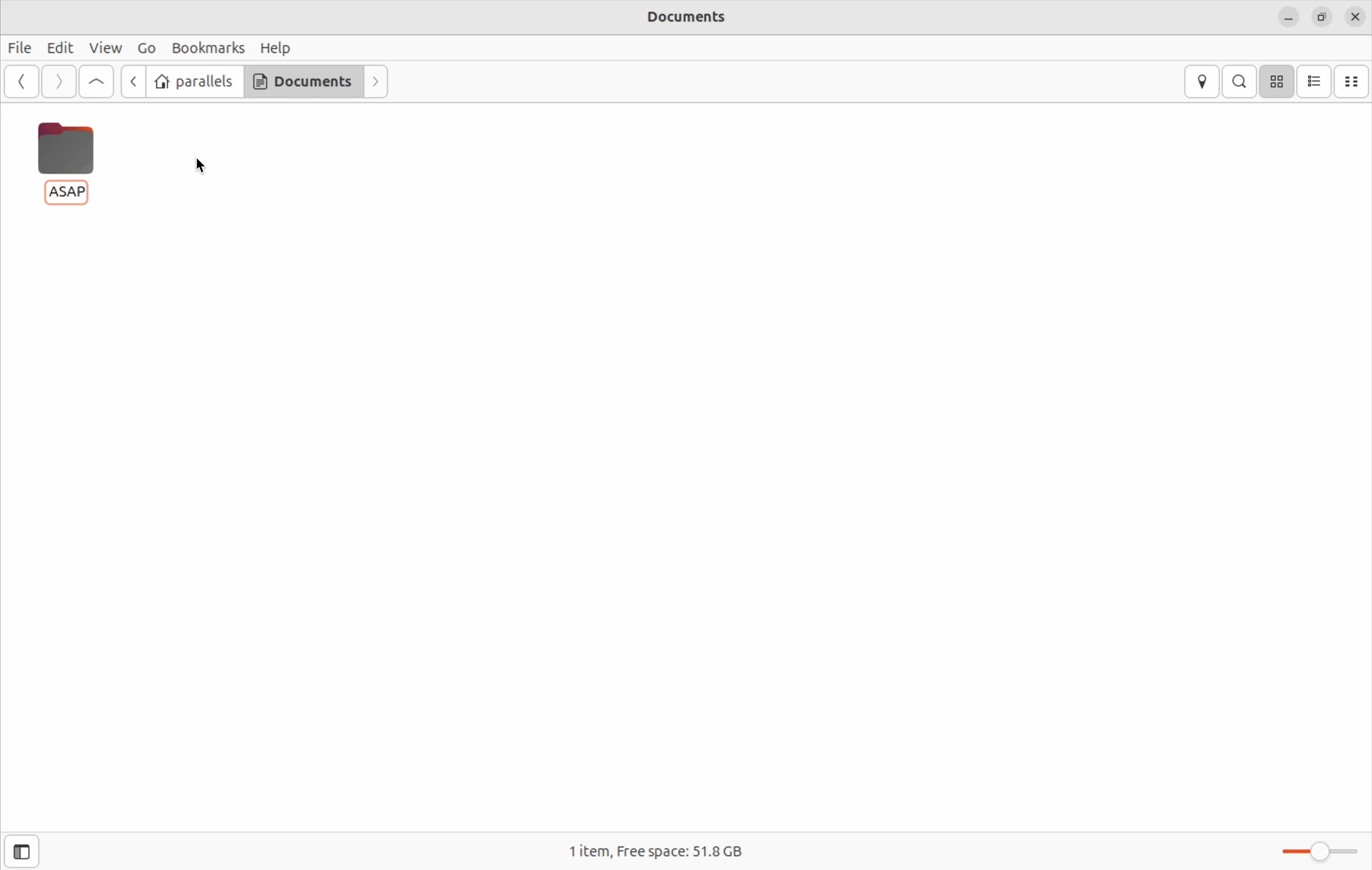  What do you see at coordinates (136, 82) in the screenshot?
I see `back` at bounding box center [136, 82].